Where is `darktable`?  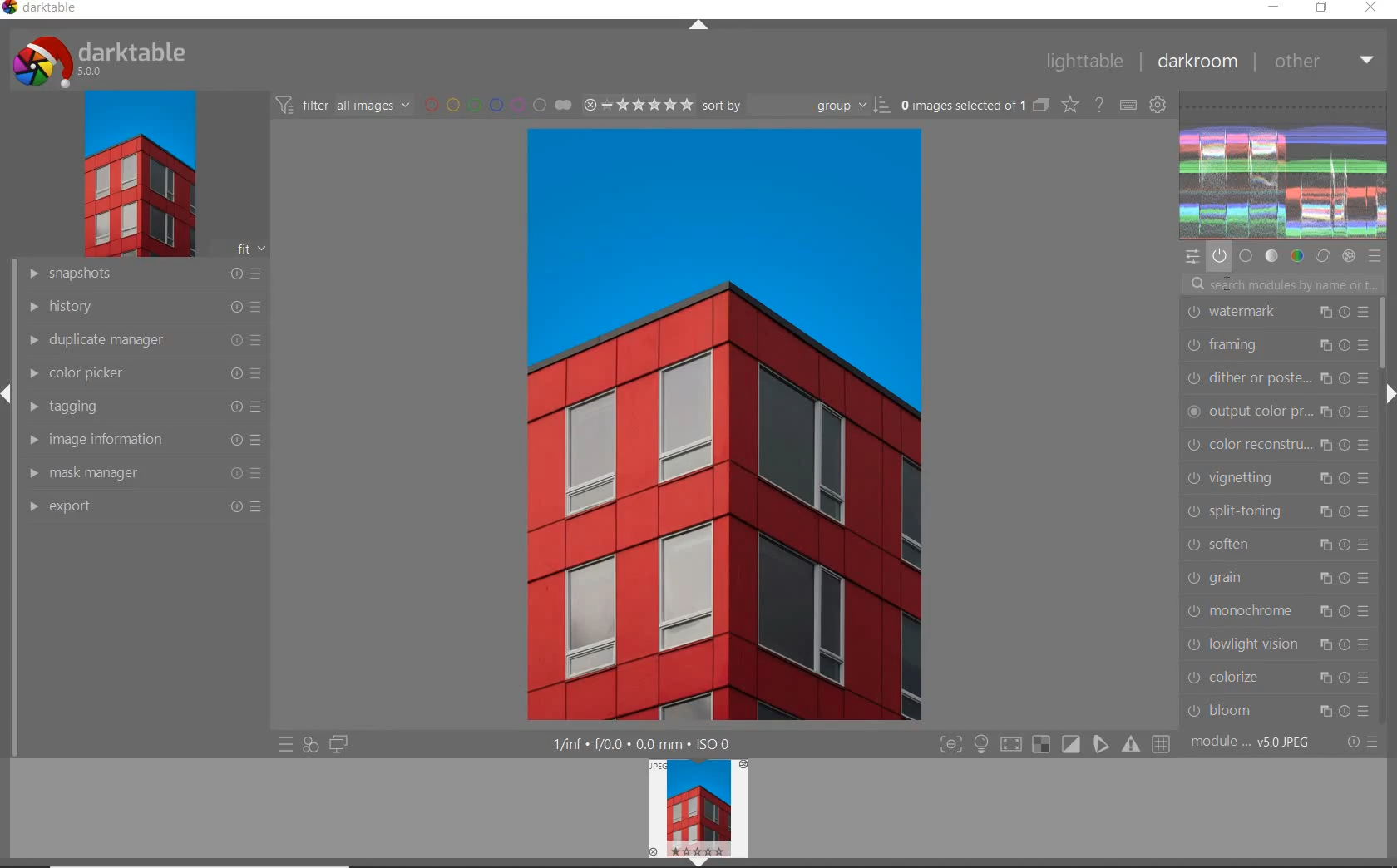 darktable is located at coordinates (116, 57).